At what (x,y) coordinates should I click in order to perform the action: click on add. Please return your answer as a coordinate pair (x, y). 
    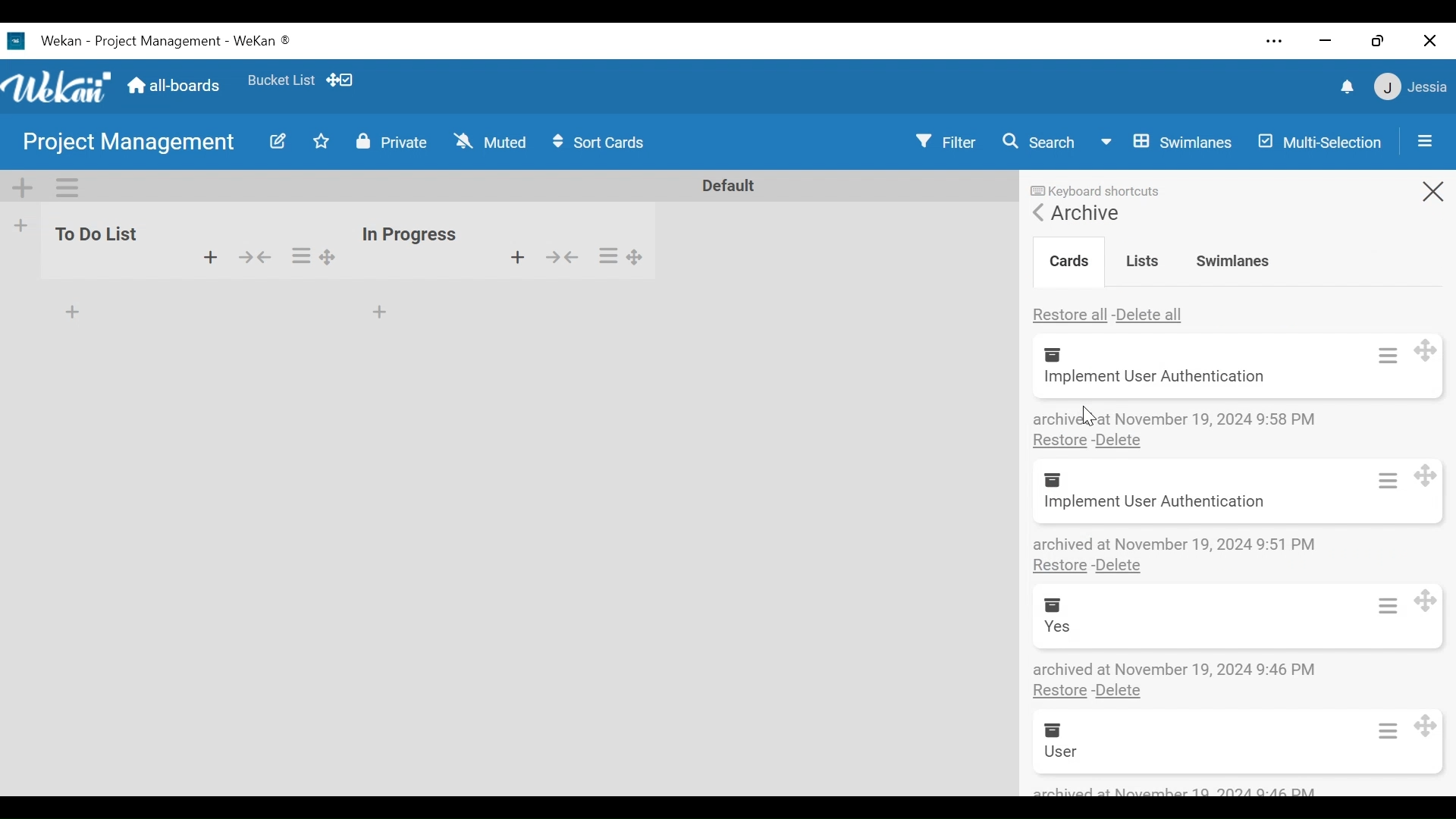
    Looking at the image, I should click on (507, 257).